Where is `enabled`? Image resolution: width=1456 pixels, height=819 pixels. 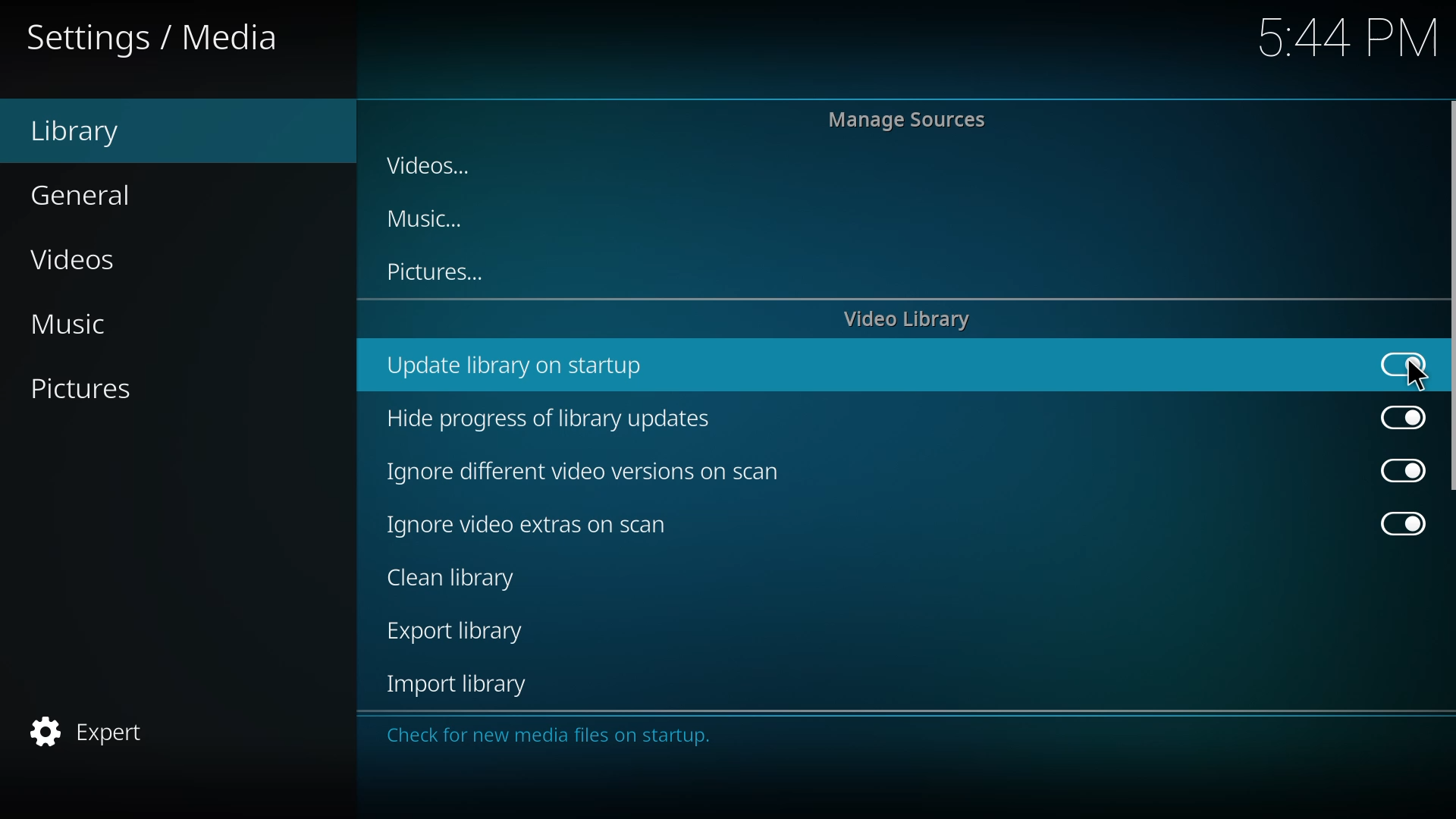
enabled is located at coordinates (1395, 521).